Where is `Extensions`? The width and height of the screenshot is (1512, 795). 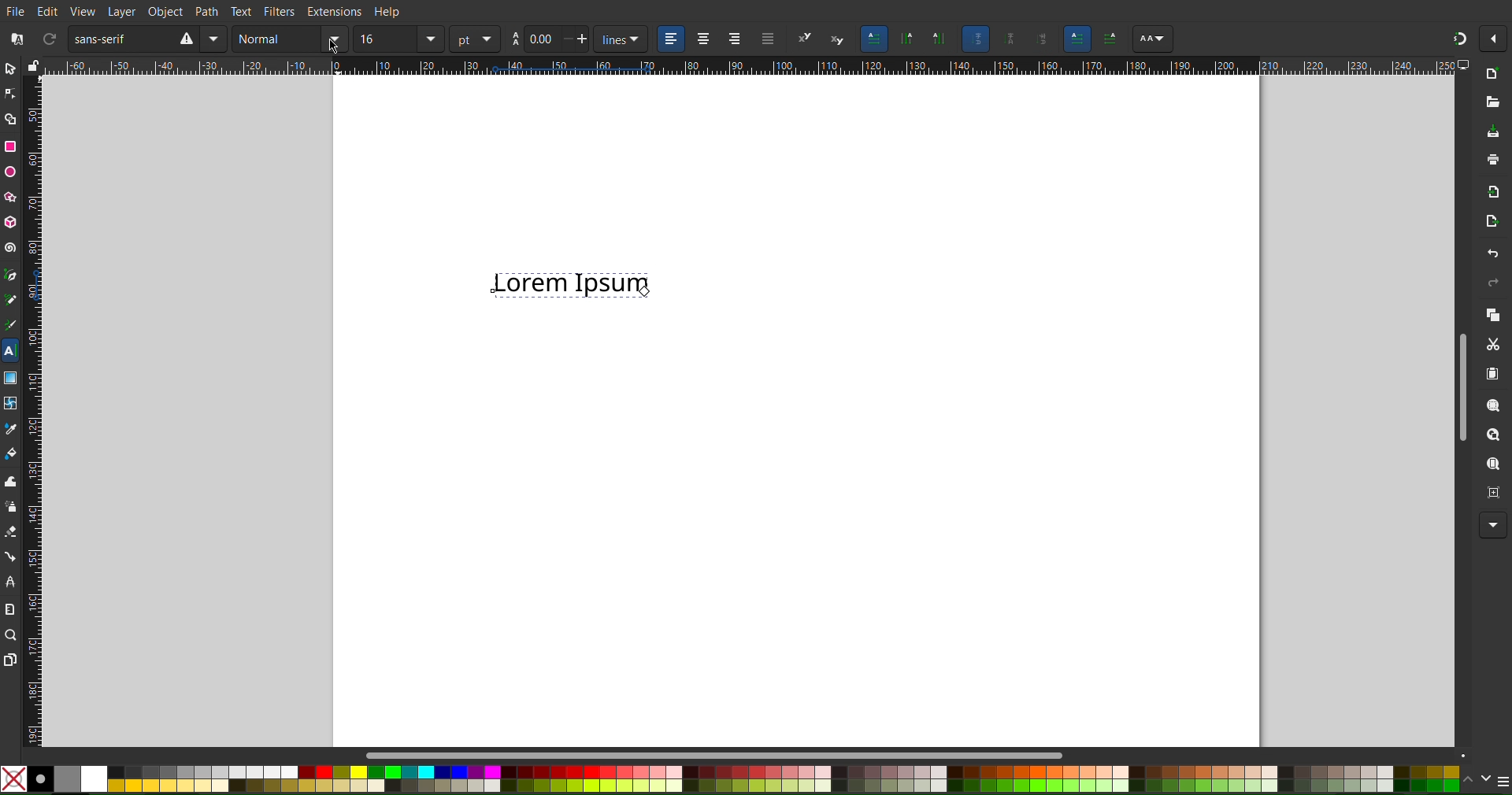 Extensions is located at coordinates (333, 11).